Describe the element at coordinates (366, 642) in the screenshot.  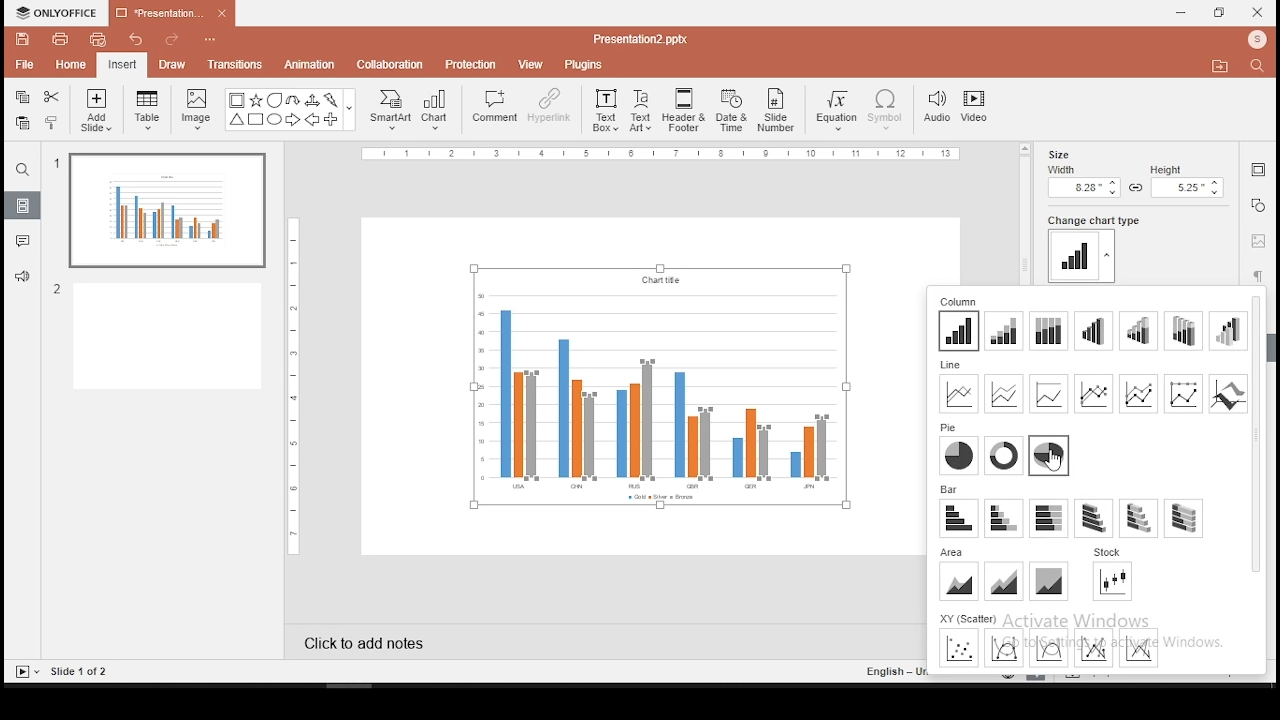
I see `click to add notes` at that location.